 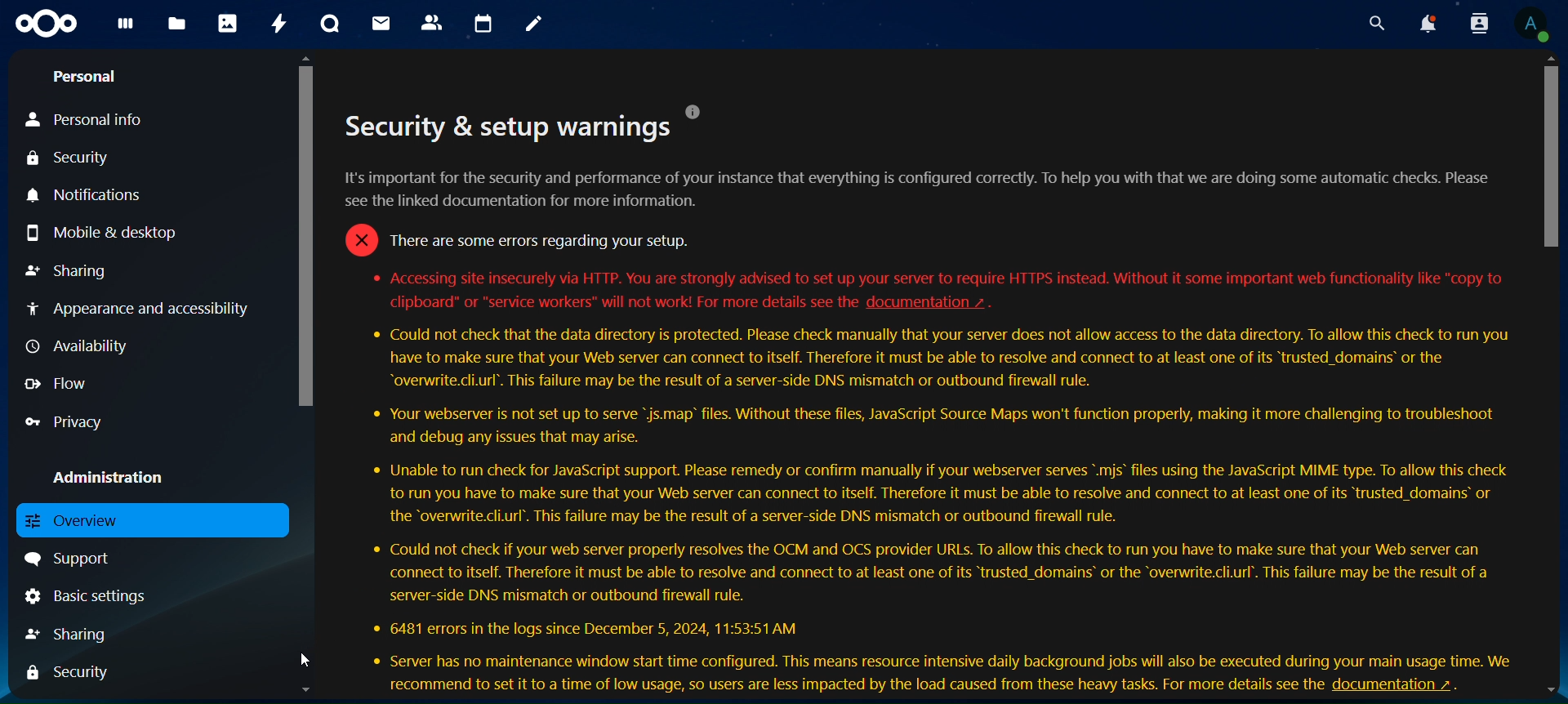 I want to click on help, so click(x=698, y=109).